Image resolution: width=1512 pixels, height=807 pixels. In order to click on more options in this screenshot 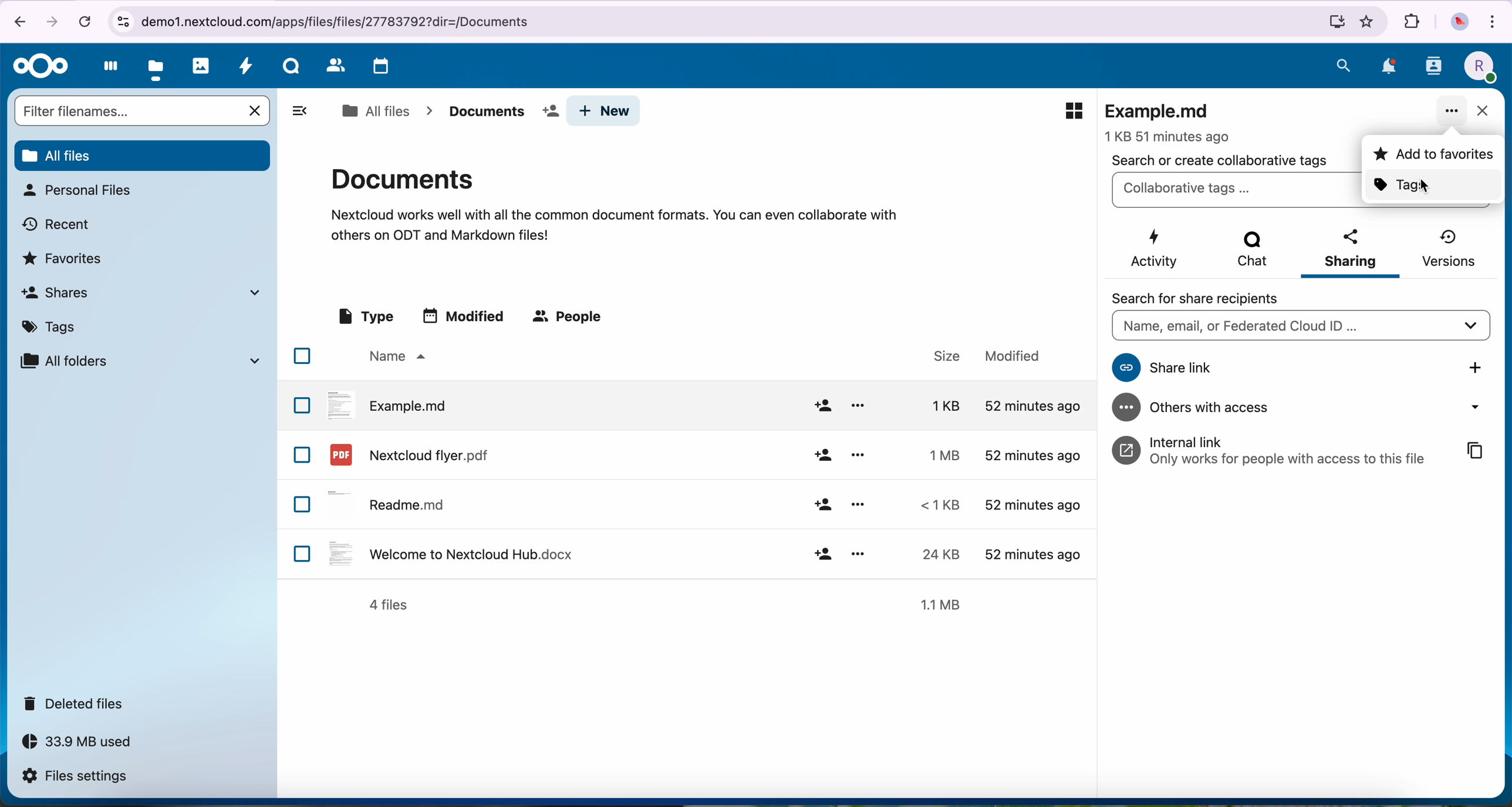, I will do `click(1452, 112)`.